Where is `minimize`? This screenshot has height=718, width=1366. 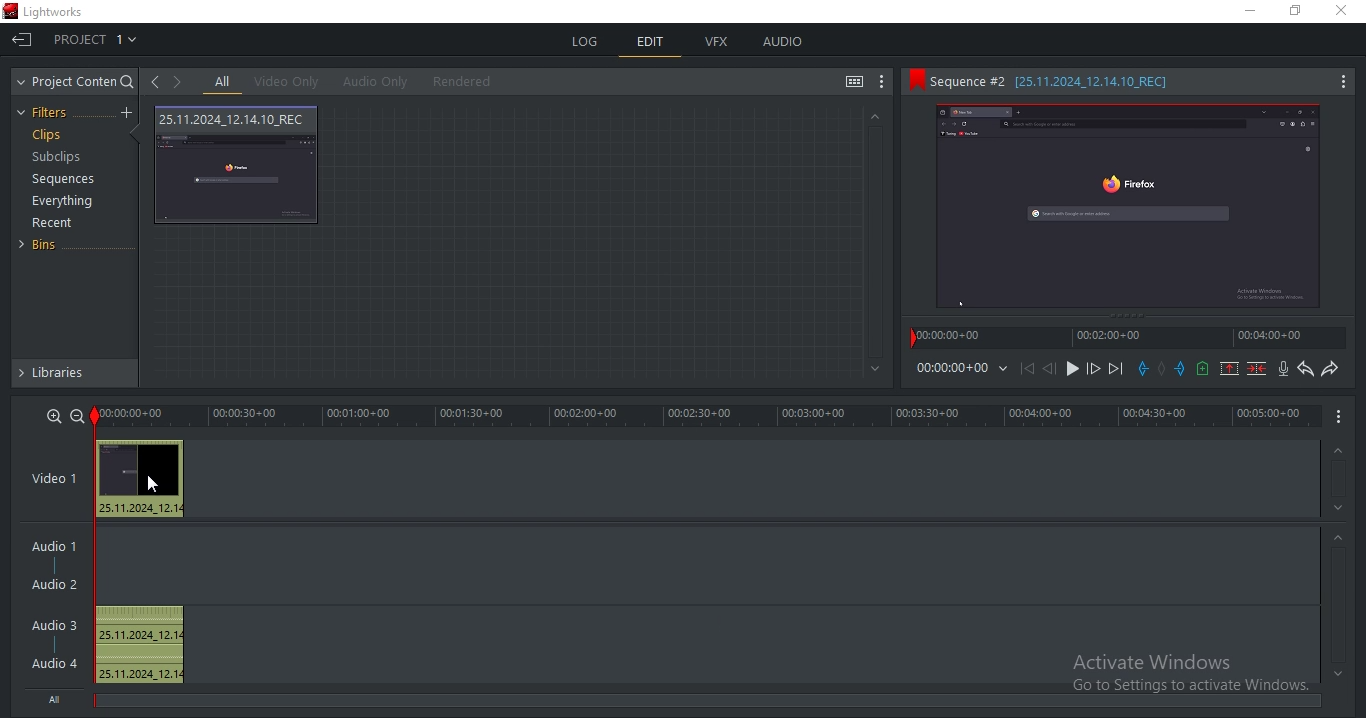 minimize is located at coordinates (1253, 14).